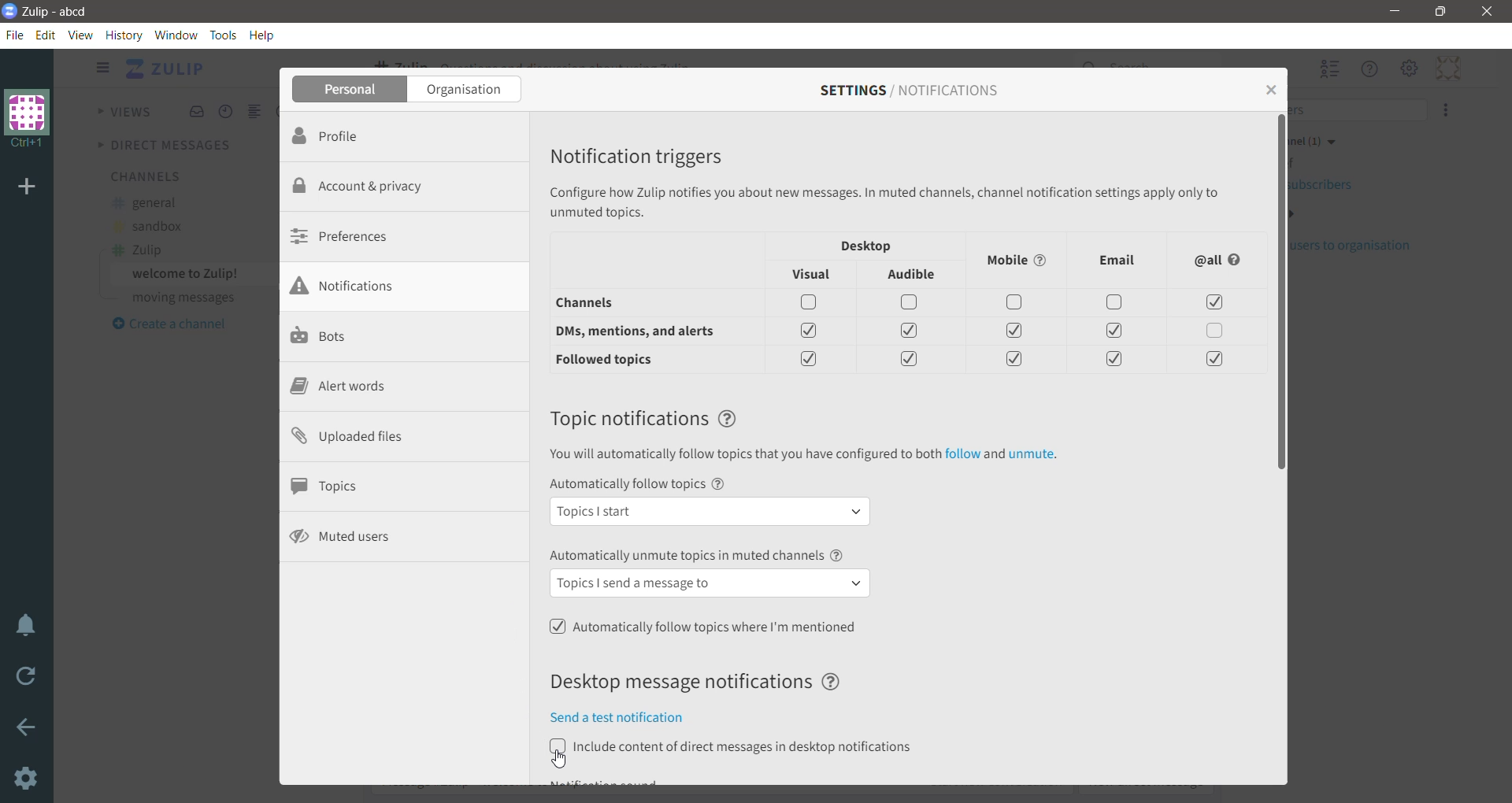 This screenshot has height=803, width=1512. Describe the element at coordinates (646, 418) in the screenshot. I see `Topic Notifications` at that location.